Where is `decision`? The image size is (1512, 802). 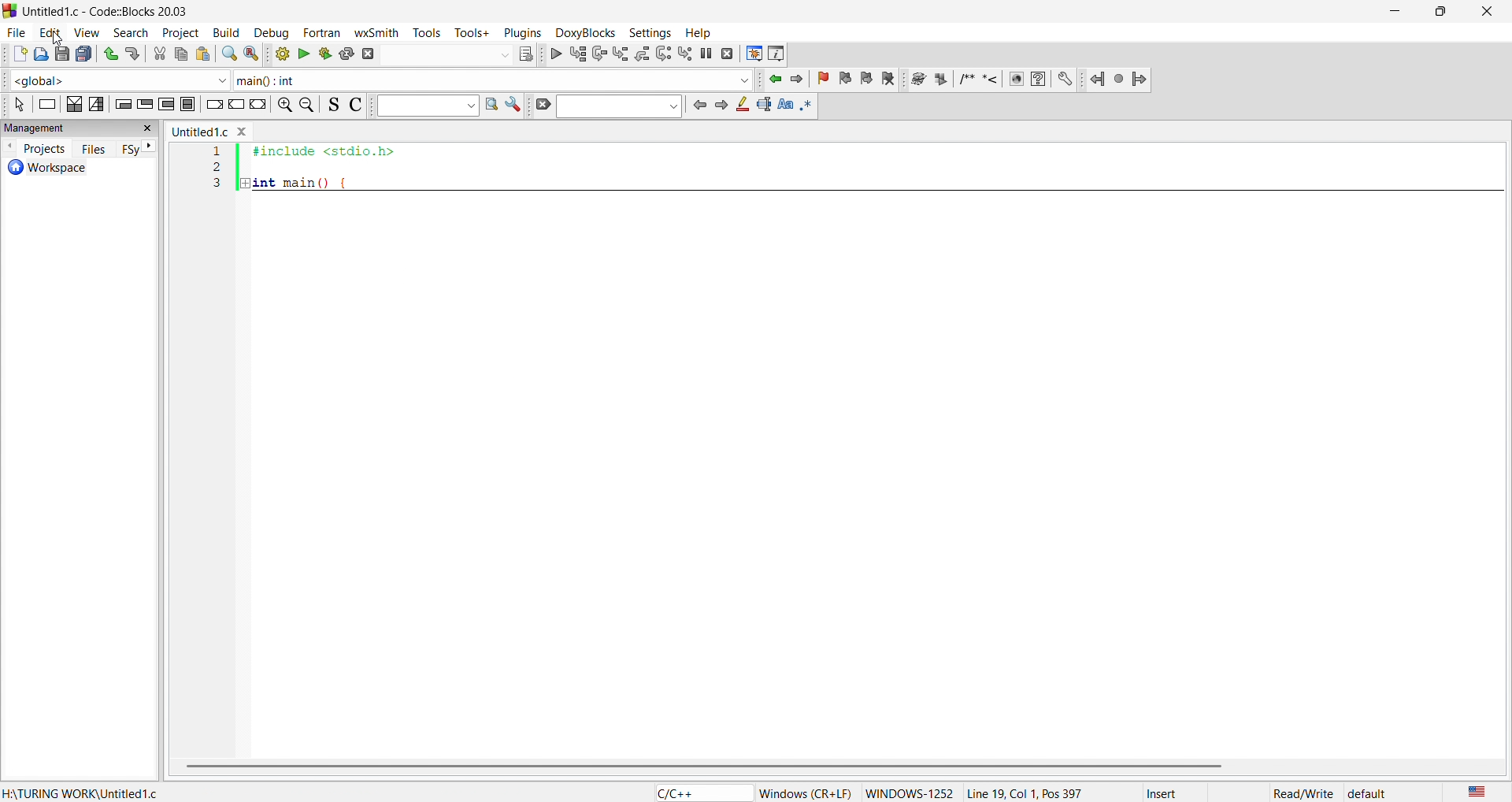
decision is located at coordinates (75, 104).